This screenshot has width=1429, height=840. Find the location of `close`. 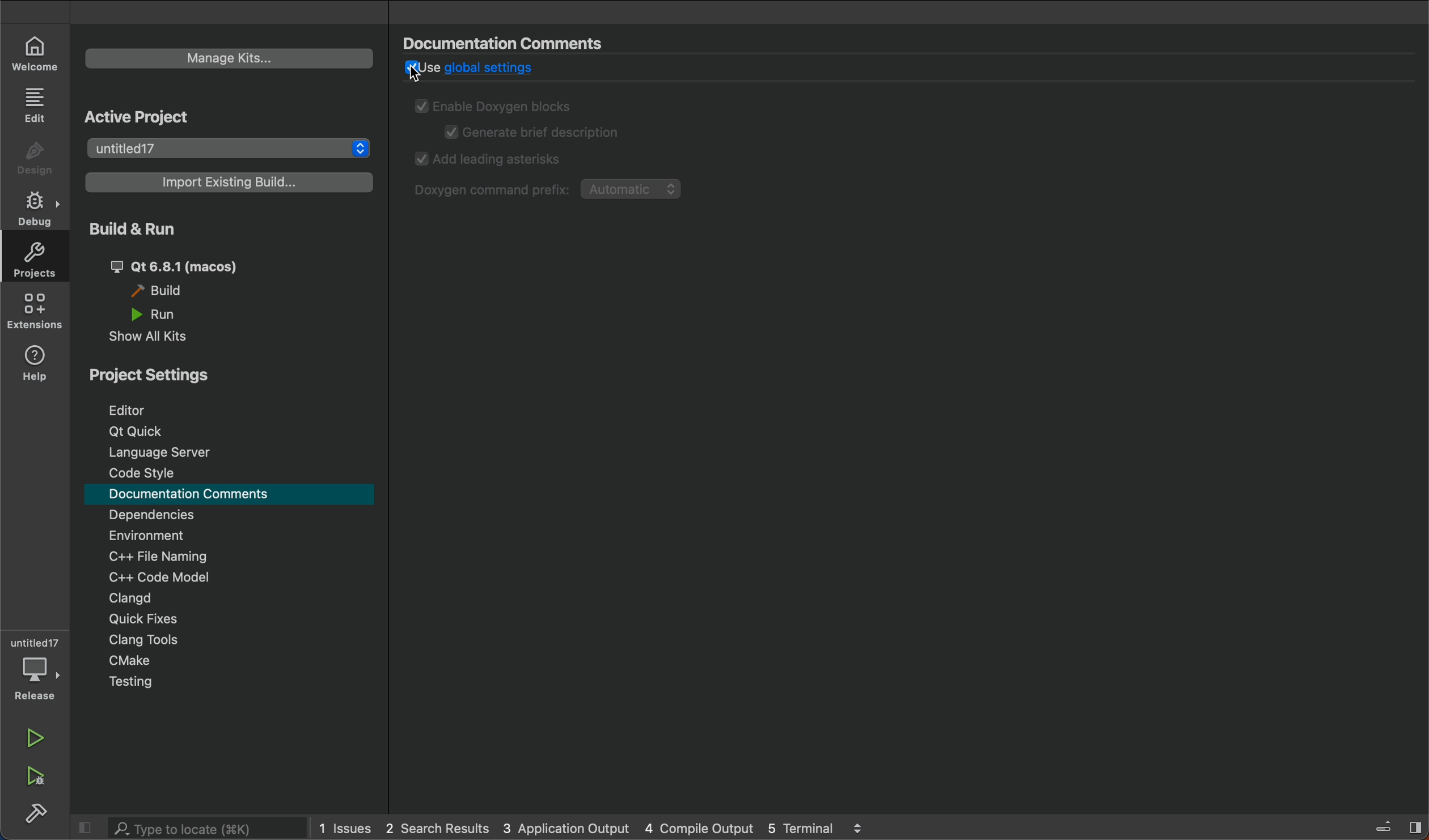

close is located at coordinates (1394, 826).